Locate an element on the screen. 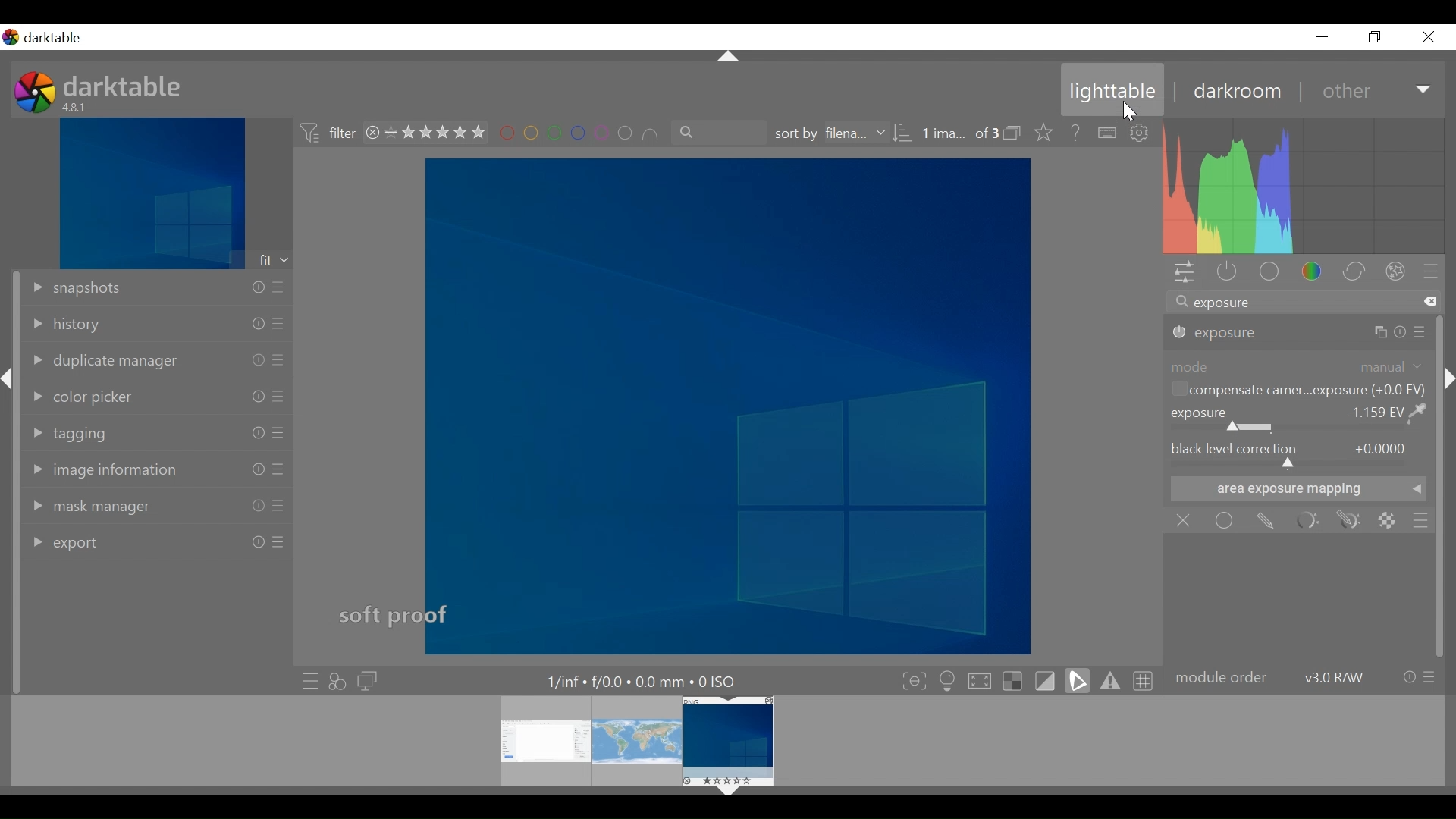 This screenshot has width=1456, height=819. expand/collapse grouped images is located at coordinates (1012, 133).